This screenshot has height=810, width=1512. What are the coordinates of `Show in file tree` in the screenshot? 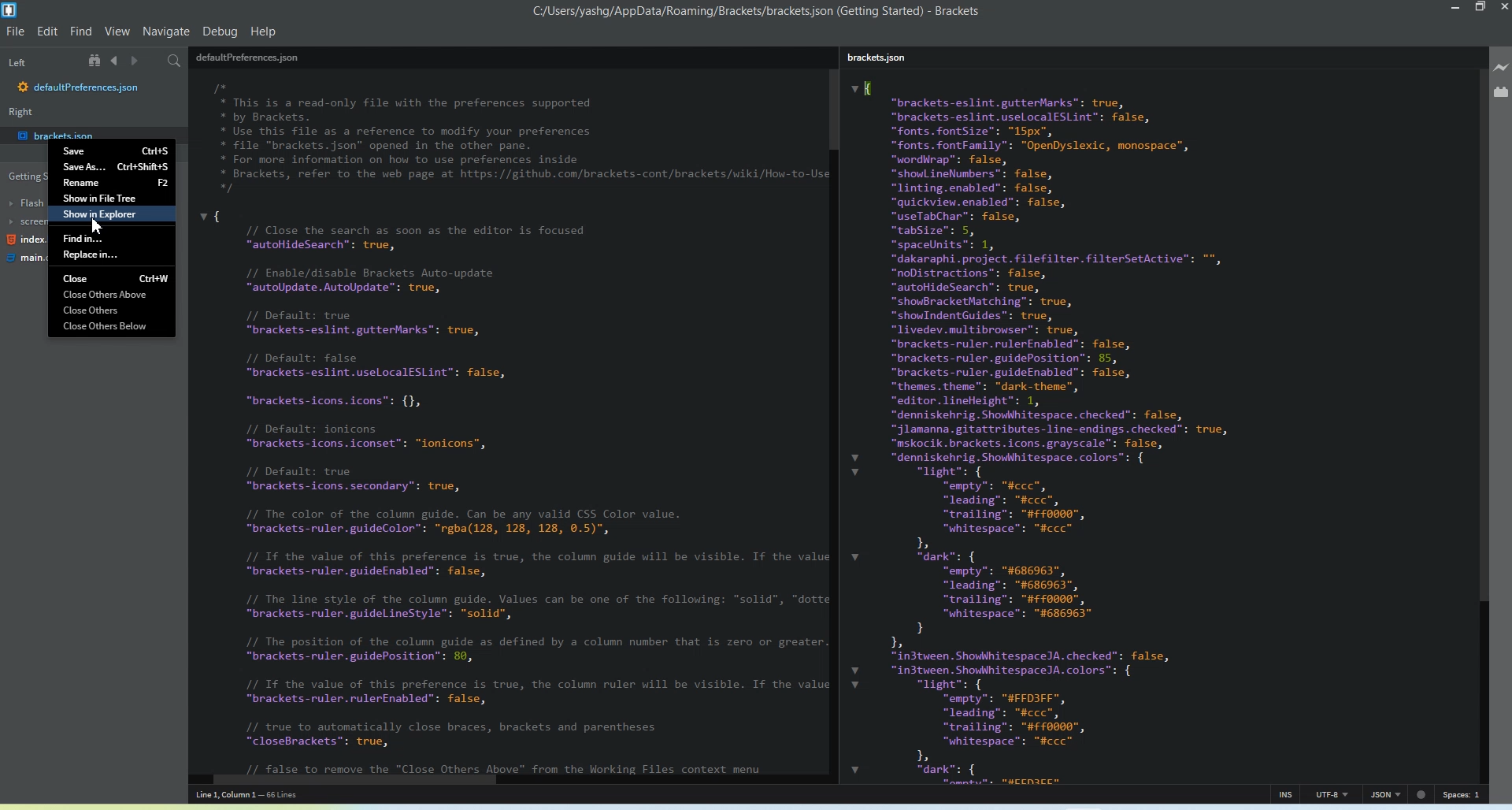 It's located at (97, 61).